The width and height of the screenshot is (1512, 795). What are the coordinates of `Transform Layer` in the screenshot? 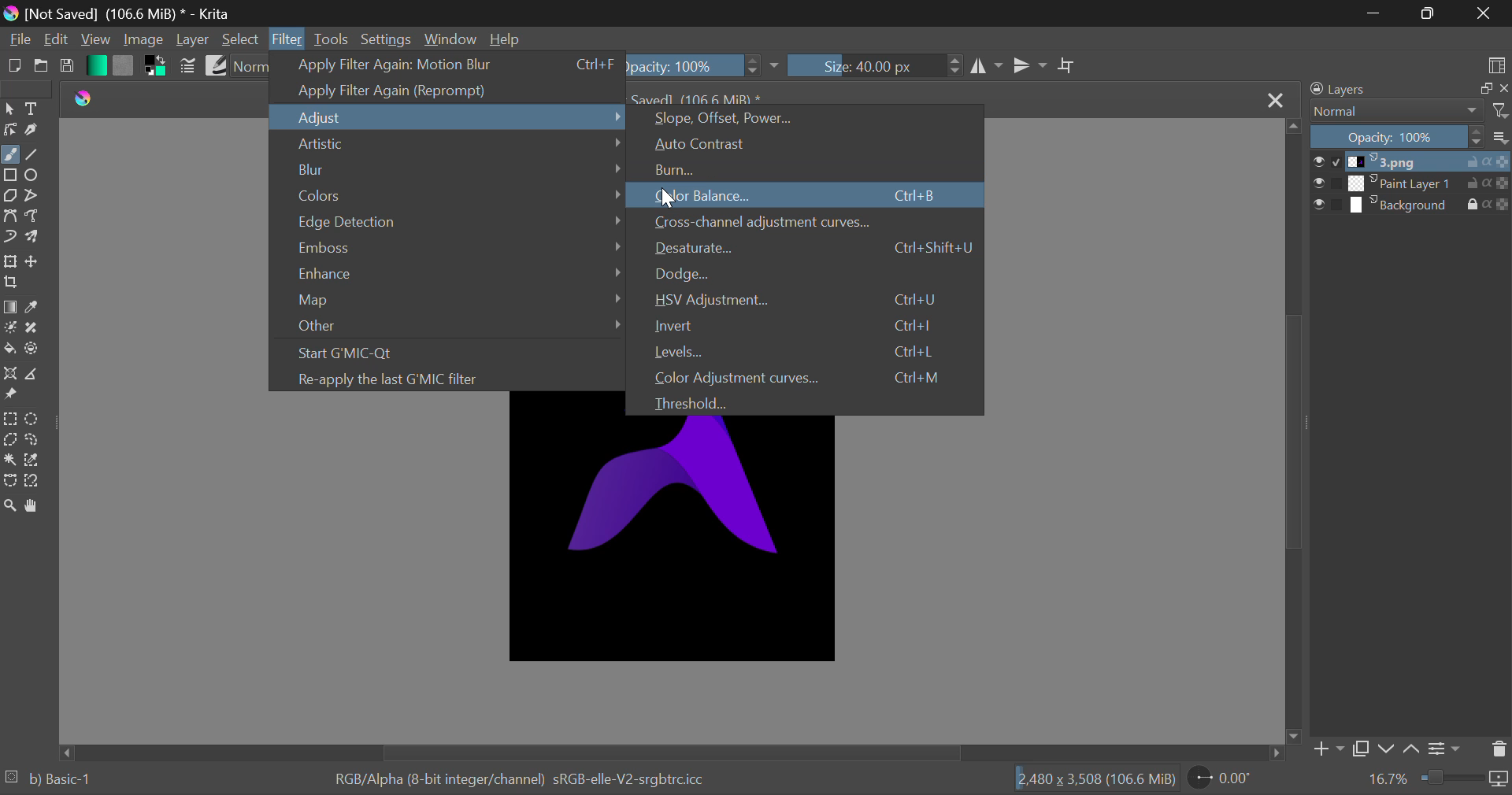 It's located at (10, 262).